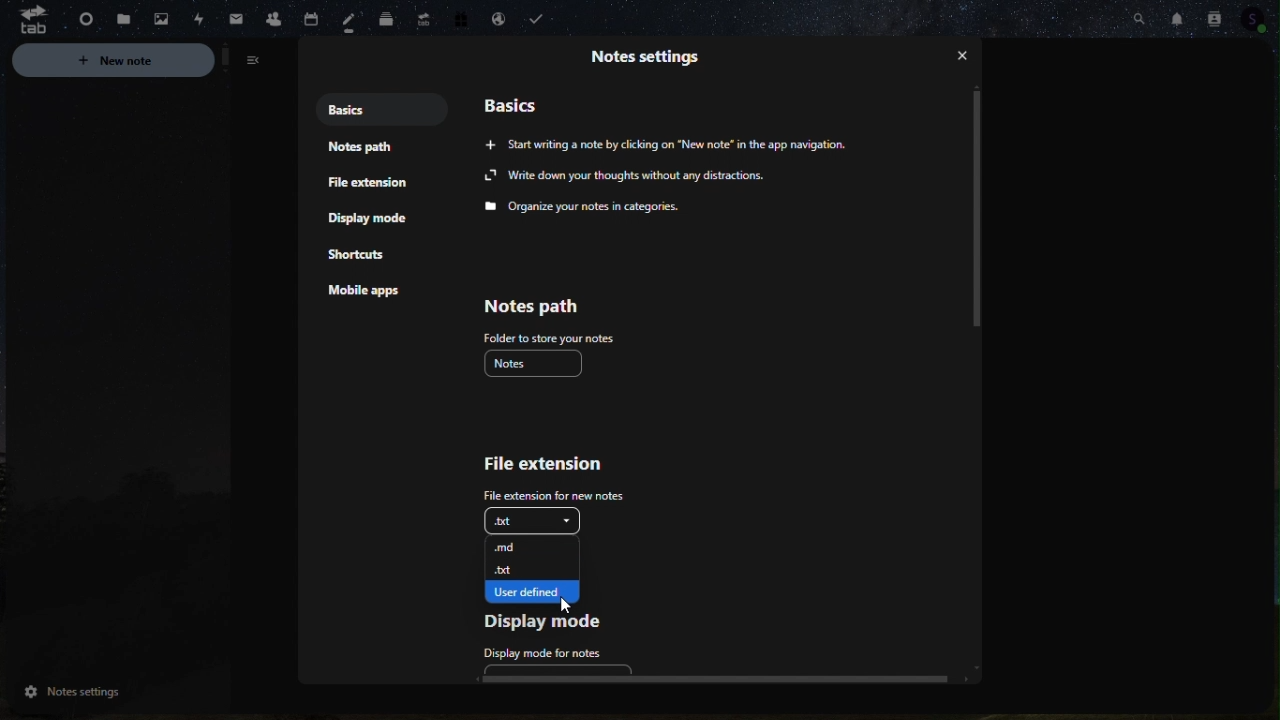  I want to click on Basics, so click(524, 101).